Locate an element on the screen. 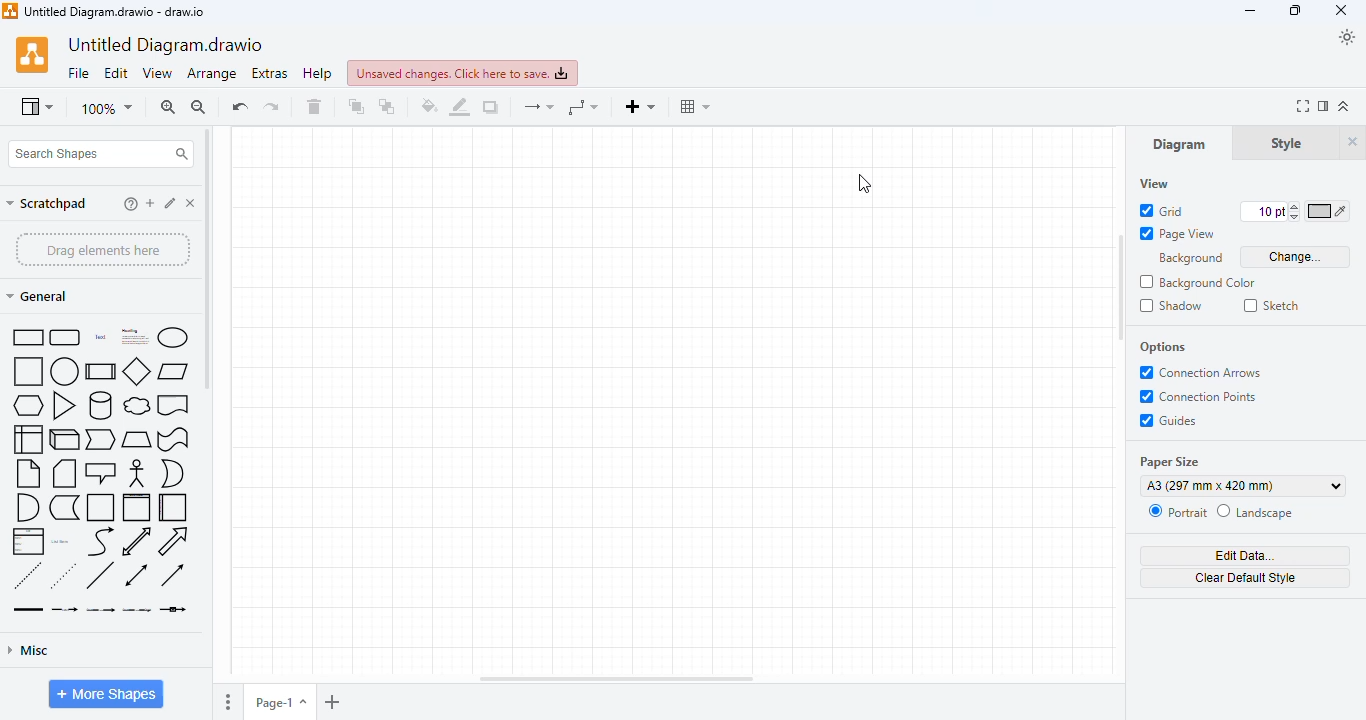 This screenshot has width=1366, height=720. options is located at coordinates (1163, 348).